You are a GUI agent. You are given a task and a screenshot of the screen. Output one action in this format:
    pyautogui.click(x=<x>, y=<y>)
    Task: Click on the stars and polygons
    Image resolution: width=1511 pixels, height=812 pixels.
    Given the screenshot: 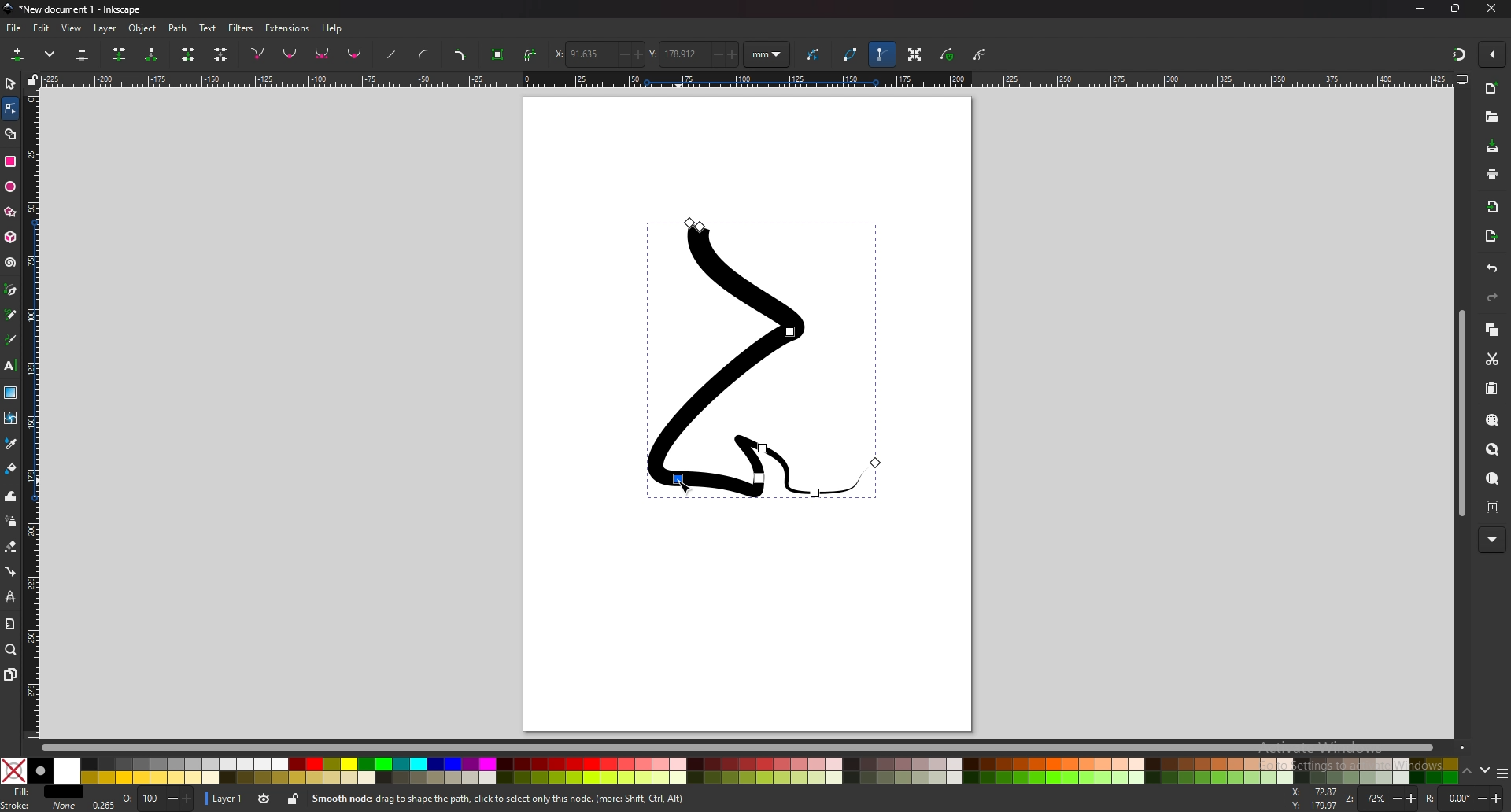 What is the action you would take?
    pyautogui.click(x=9, y=212)
    